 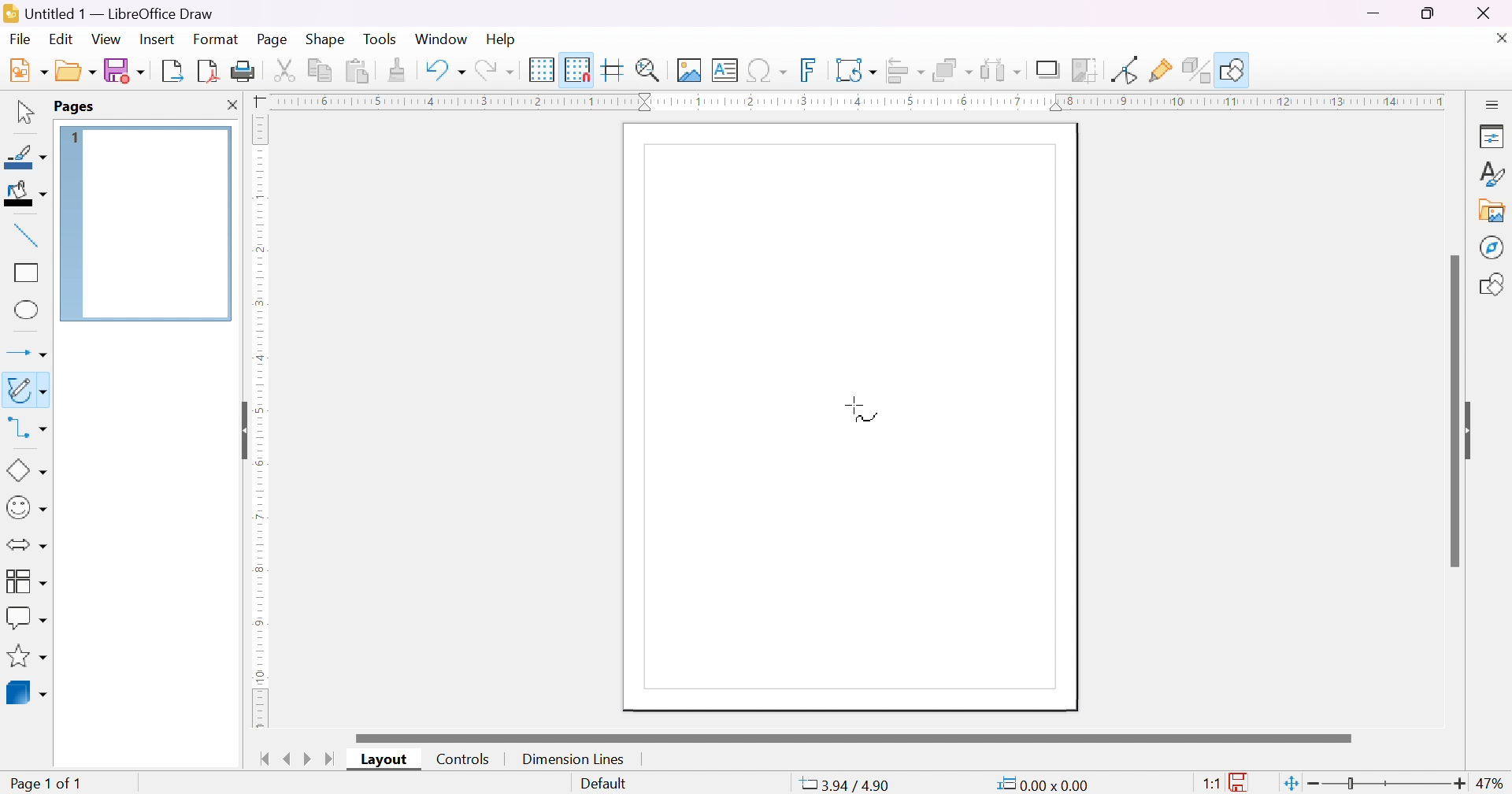 What do you see at coordinates (28, 392) in the screenshot?
I see `curves and polygons (double click for multi-selection)` at bounding box center [28, 392].